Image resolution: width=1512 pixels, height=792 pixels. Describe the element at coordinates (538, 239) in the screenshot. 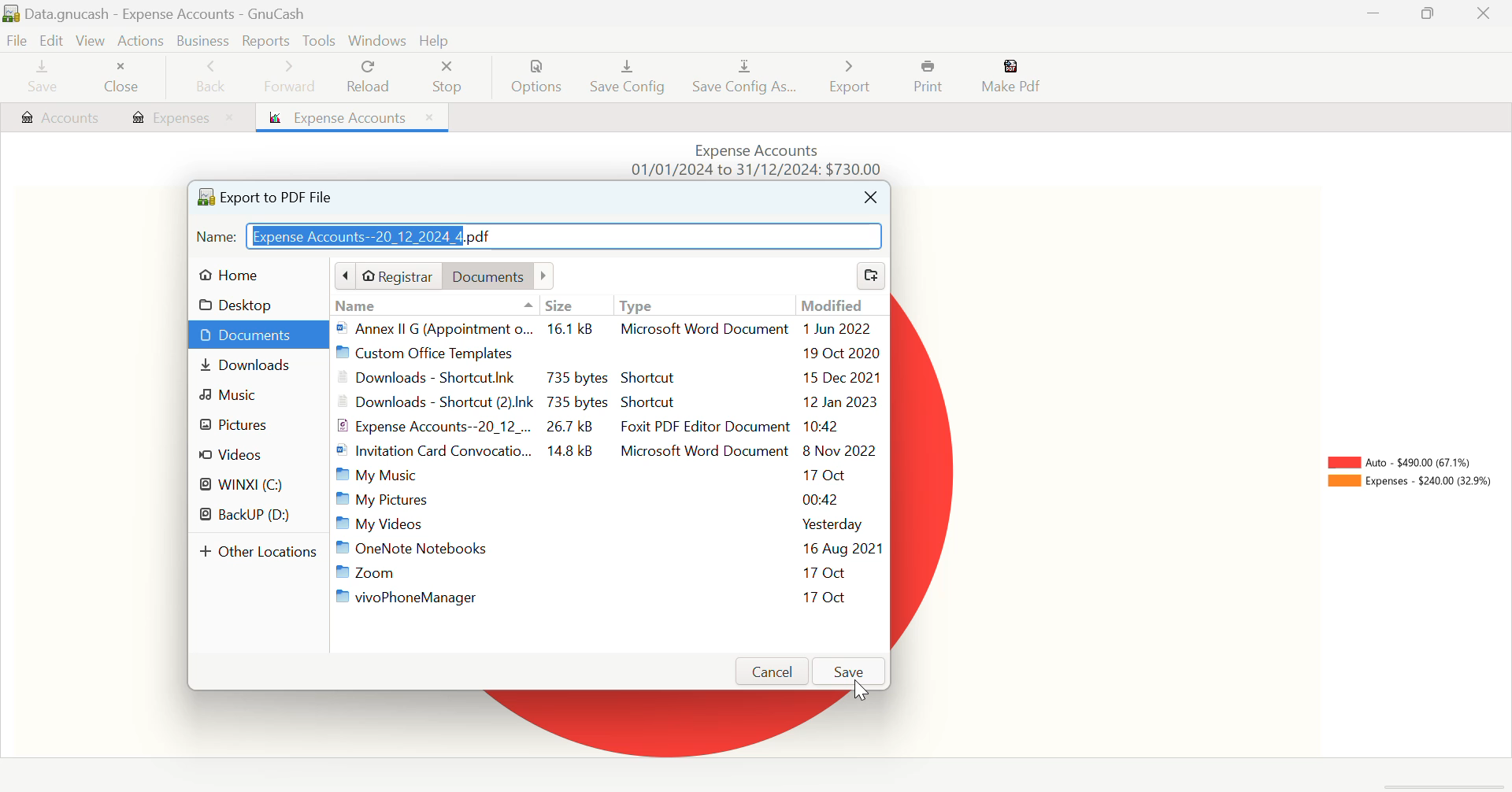

I see `Name: Expense Accounts-20_12-2024_4.pdf` at that location.